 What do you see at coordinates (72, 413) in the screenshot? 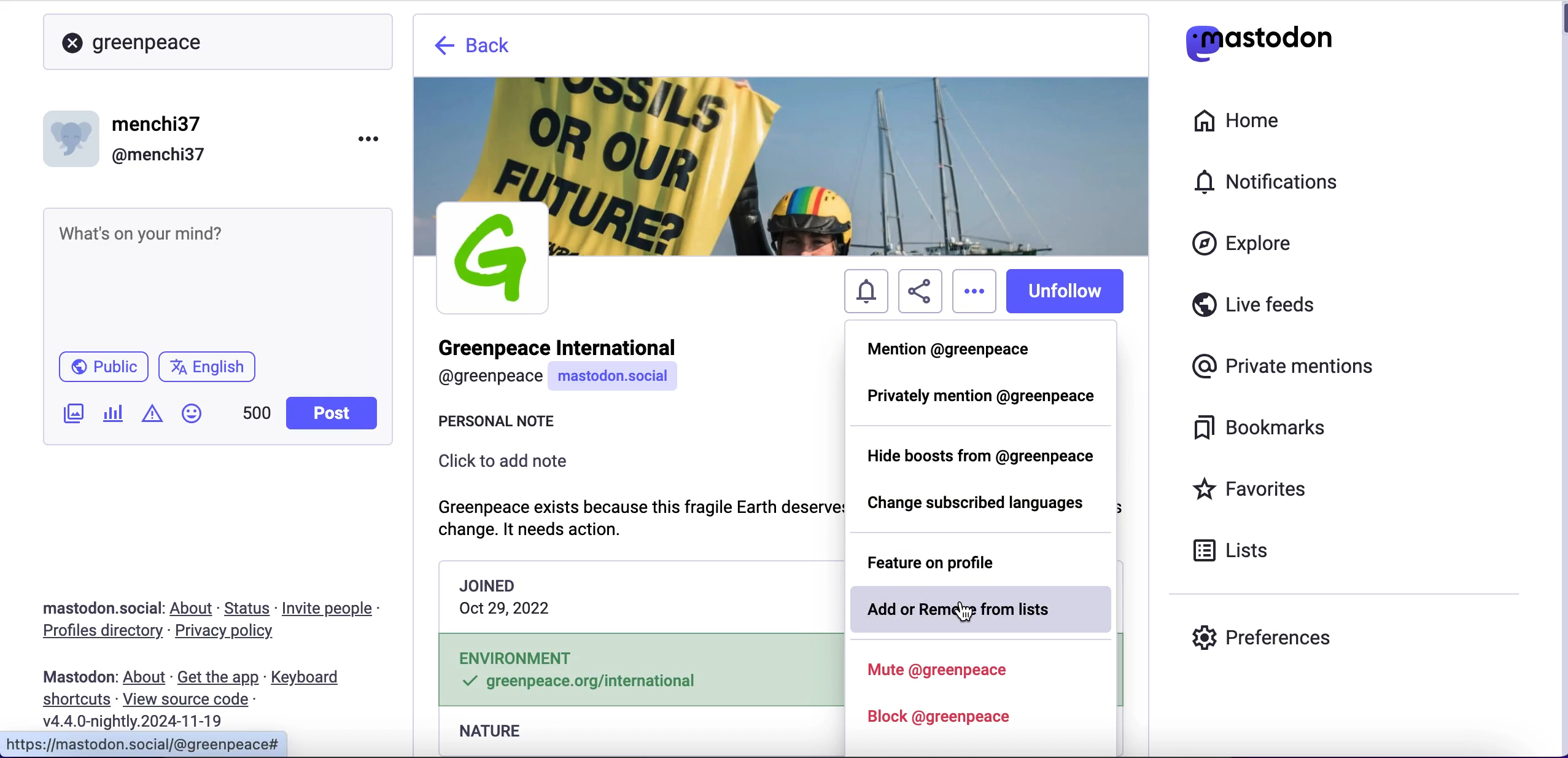
I see `add an image` at bounding box center [72, 413].